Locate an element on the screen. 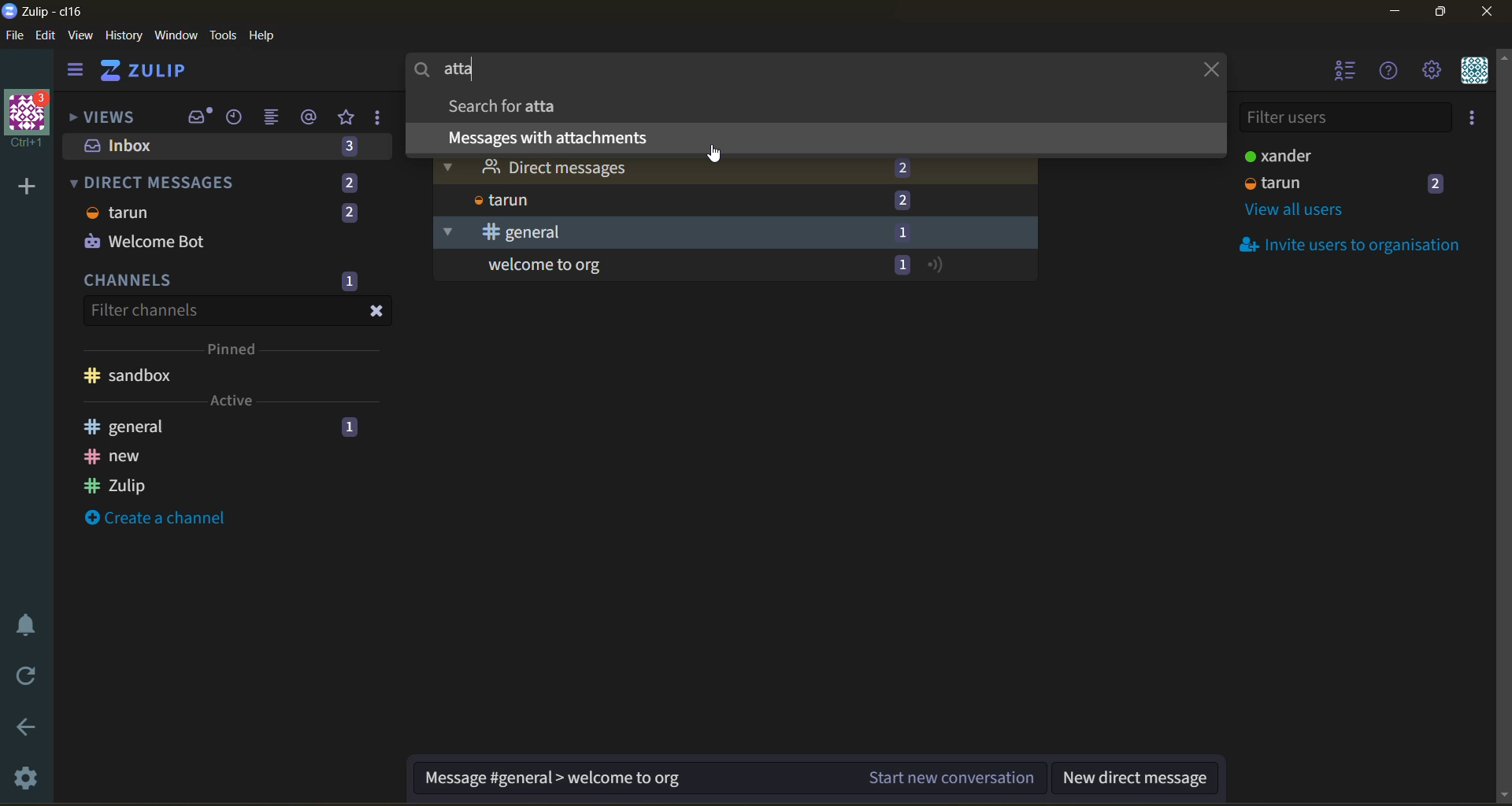  atta is located at coordinates (454, 70).